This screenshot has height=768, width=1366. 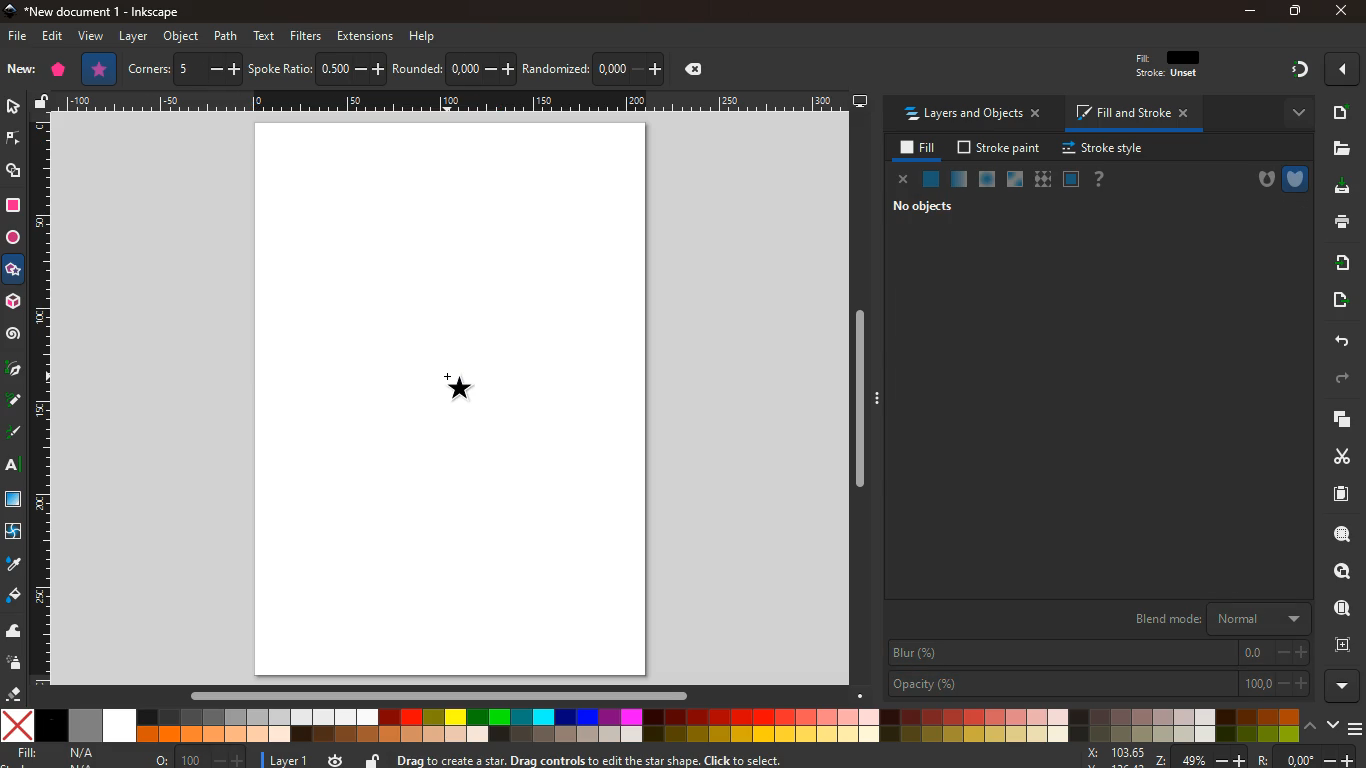 What do you see at coordinates (13, 139) in the screenshot?
I see `edge` at bounding box center [13, 139].